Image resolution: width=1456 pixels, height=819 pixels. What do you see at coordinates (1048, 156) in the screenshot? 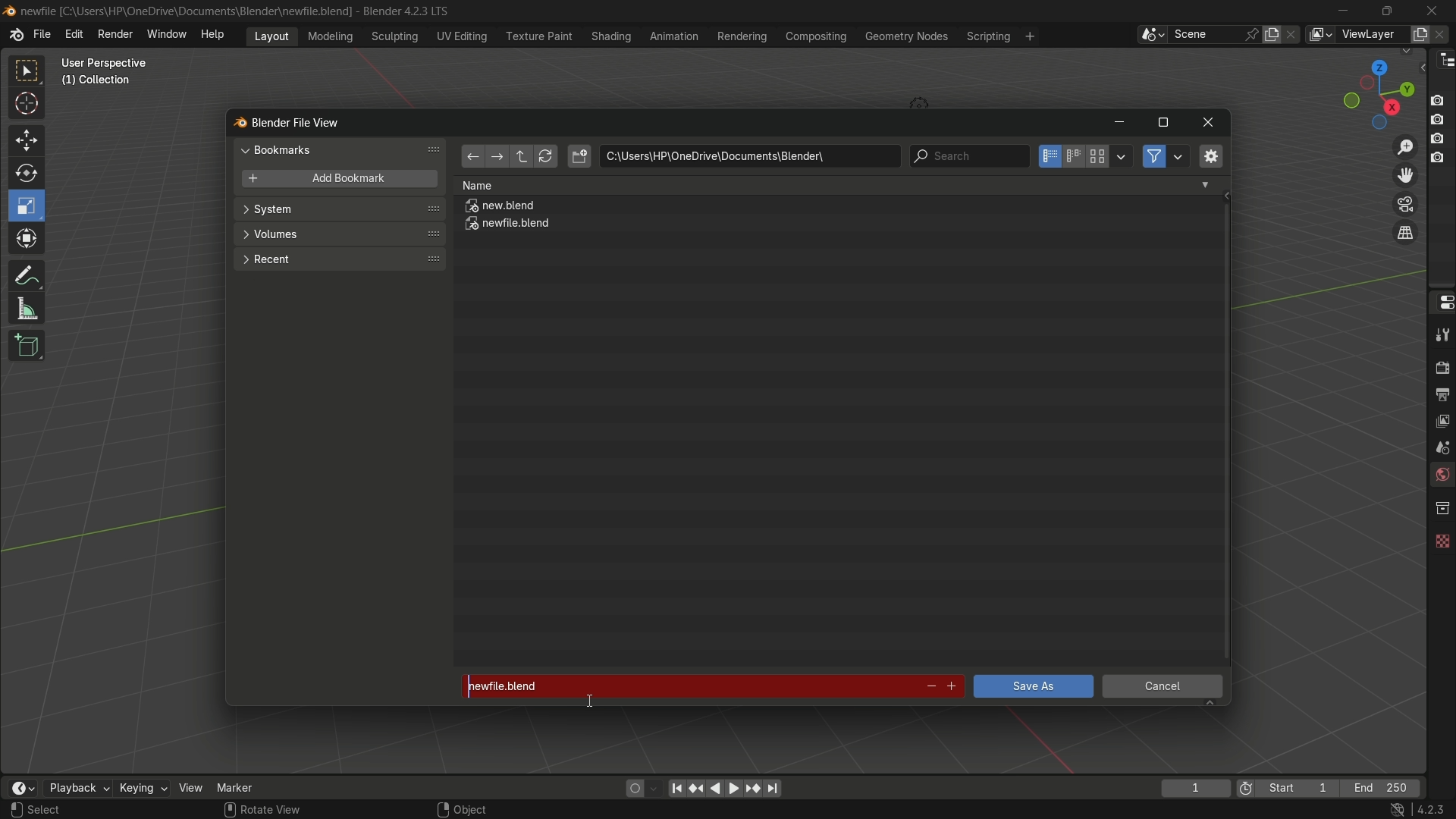
I see `vertical list` at bounding box center [1048, 156].